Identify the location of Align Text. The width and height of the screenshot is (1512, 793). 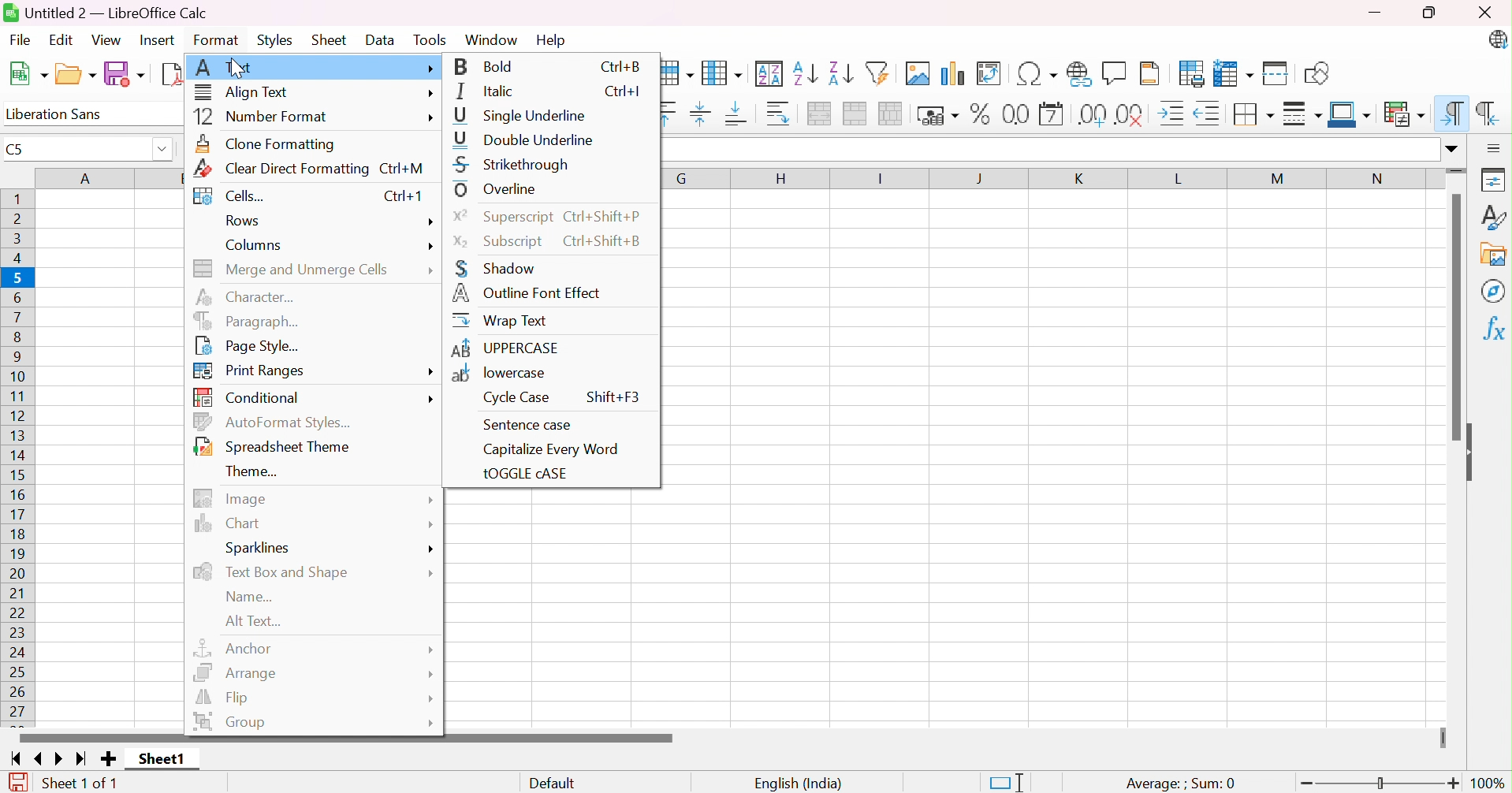
(243, 93).